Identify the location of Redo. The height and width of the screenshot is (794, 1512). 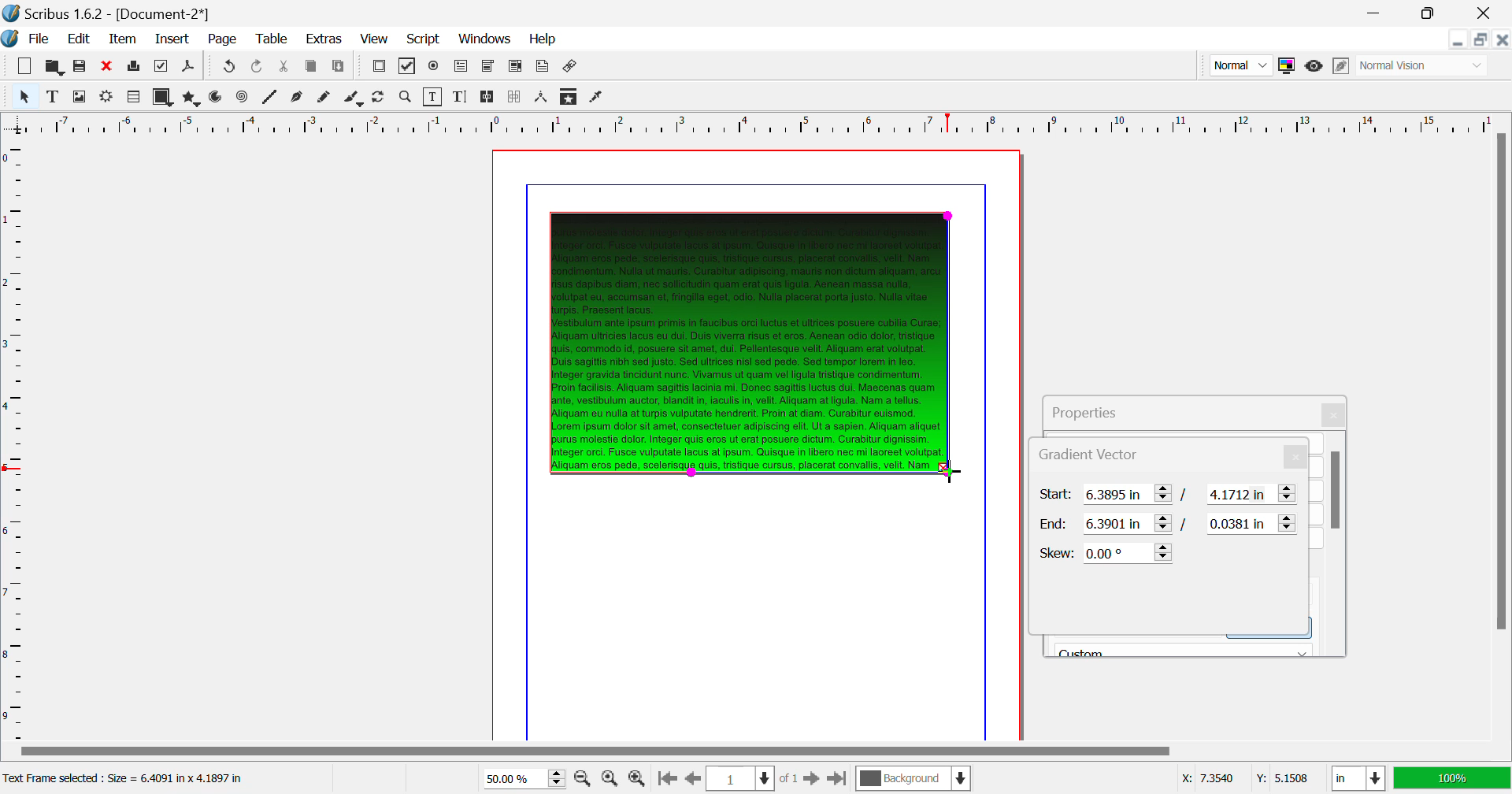
(227, 68).